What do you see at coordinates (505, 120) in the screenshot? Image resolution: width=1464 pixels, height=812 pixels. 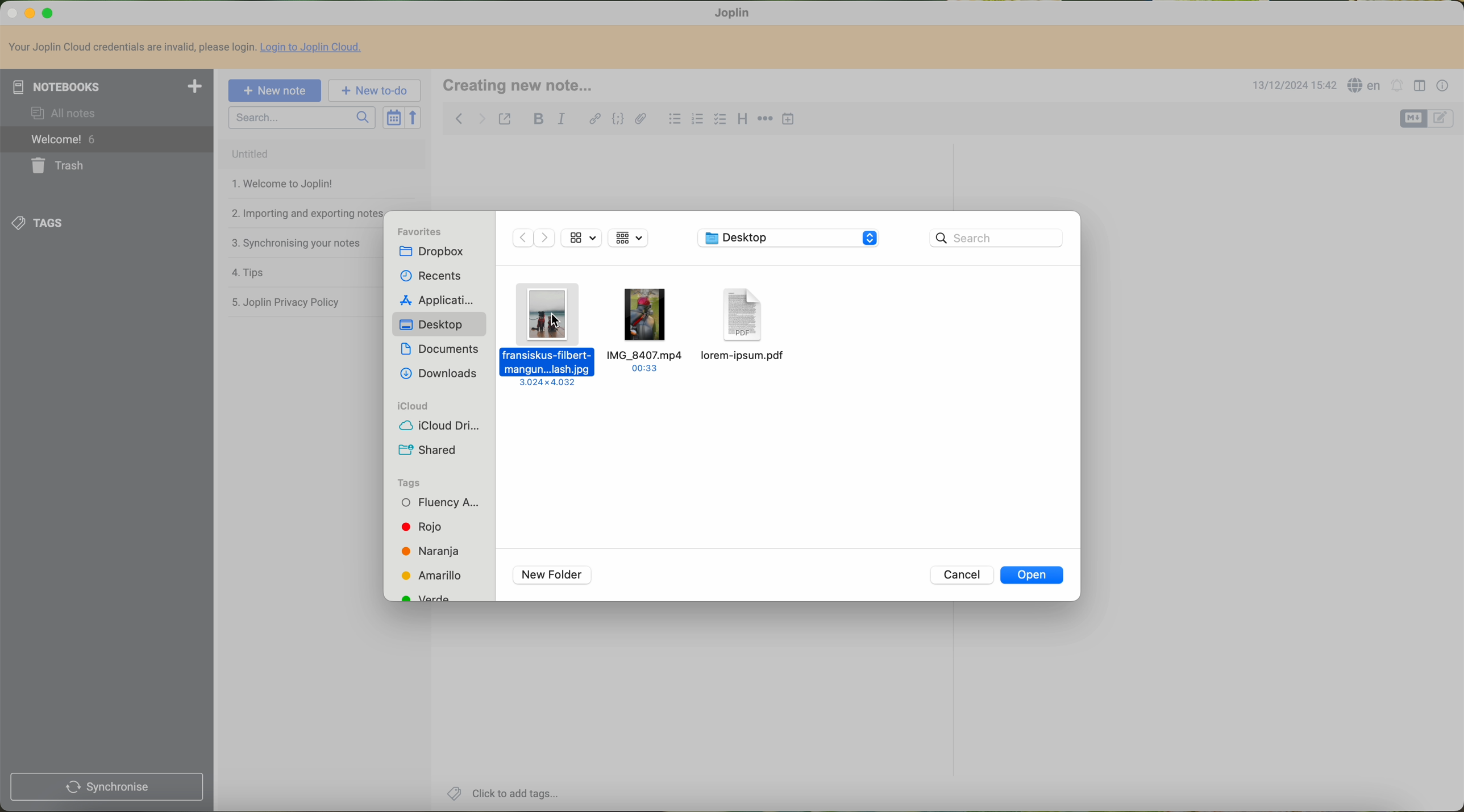 I see `toggle external editing` at bounding box center [505, 120].